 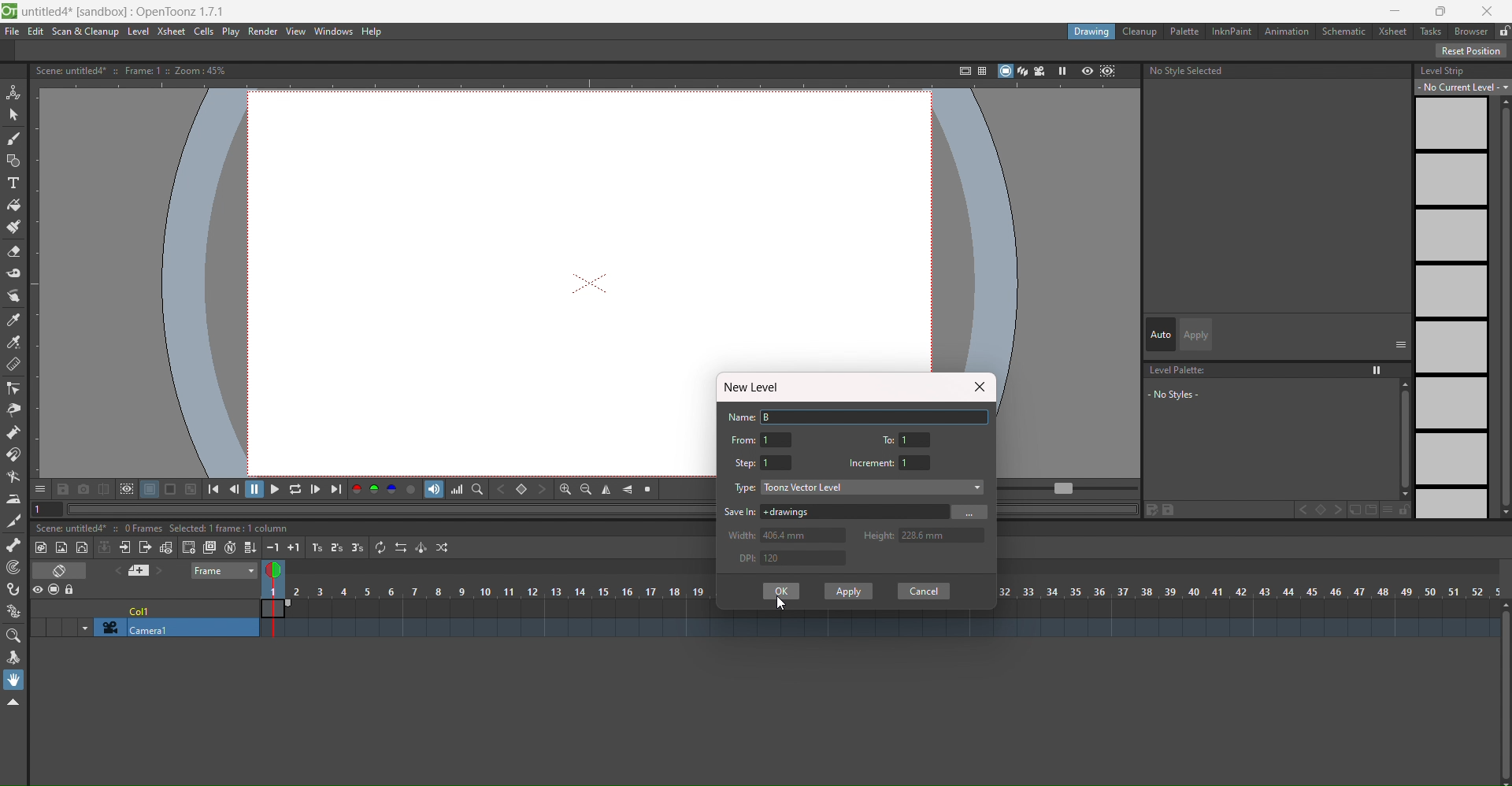 What do you see at coordinates (1401, 343) in the screenshot?
I see `options` at bounding box center [1401, 343].